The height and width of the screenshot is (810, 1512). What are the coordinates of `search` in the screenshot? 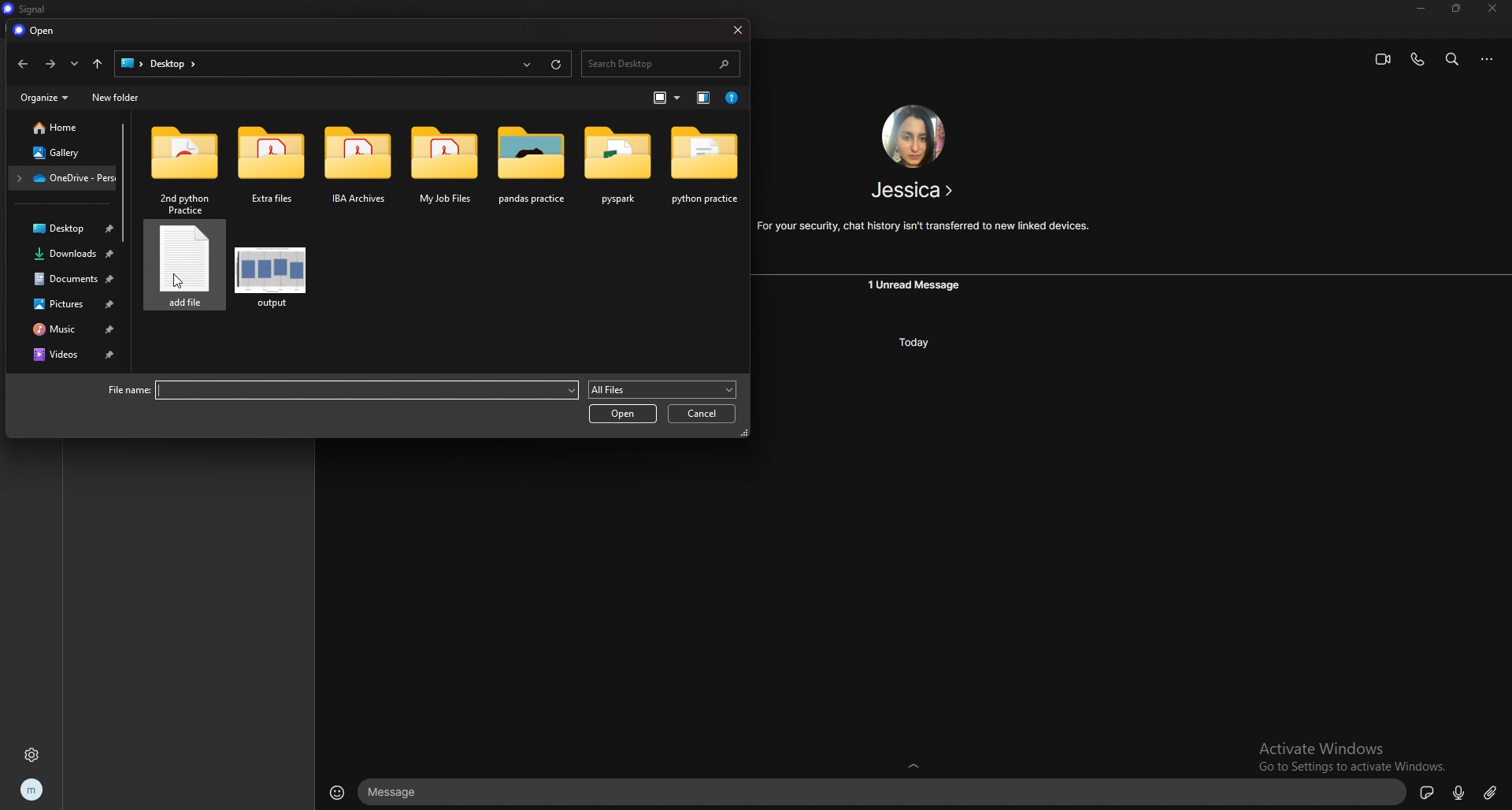 It's located at (1454, 58).